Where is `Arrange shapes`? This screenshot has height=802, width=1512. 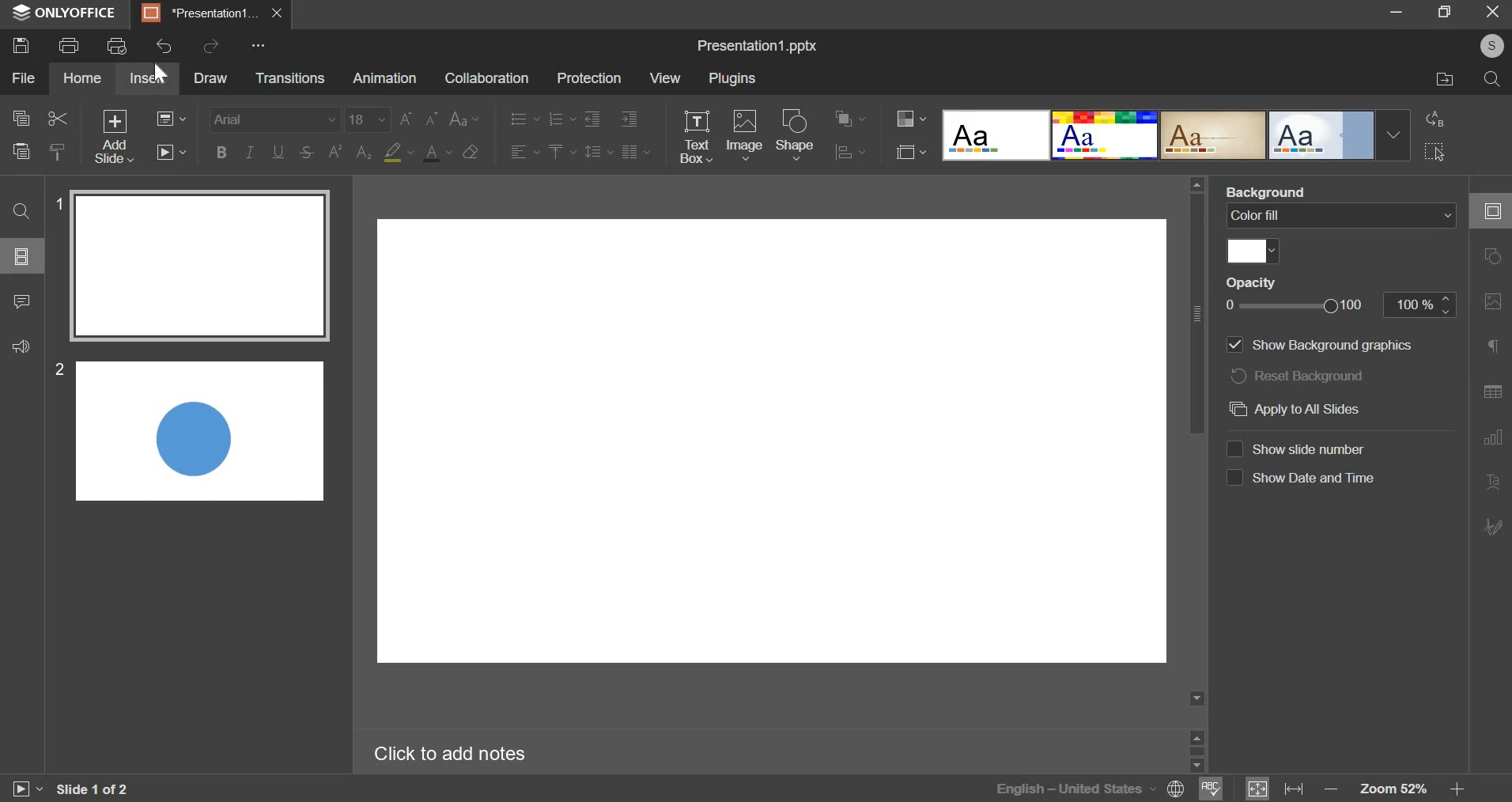
Arrange shapes is located at coordinates (849, 117).